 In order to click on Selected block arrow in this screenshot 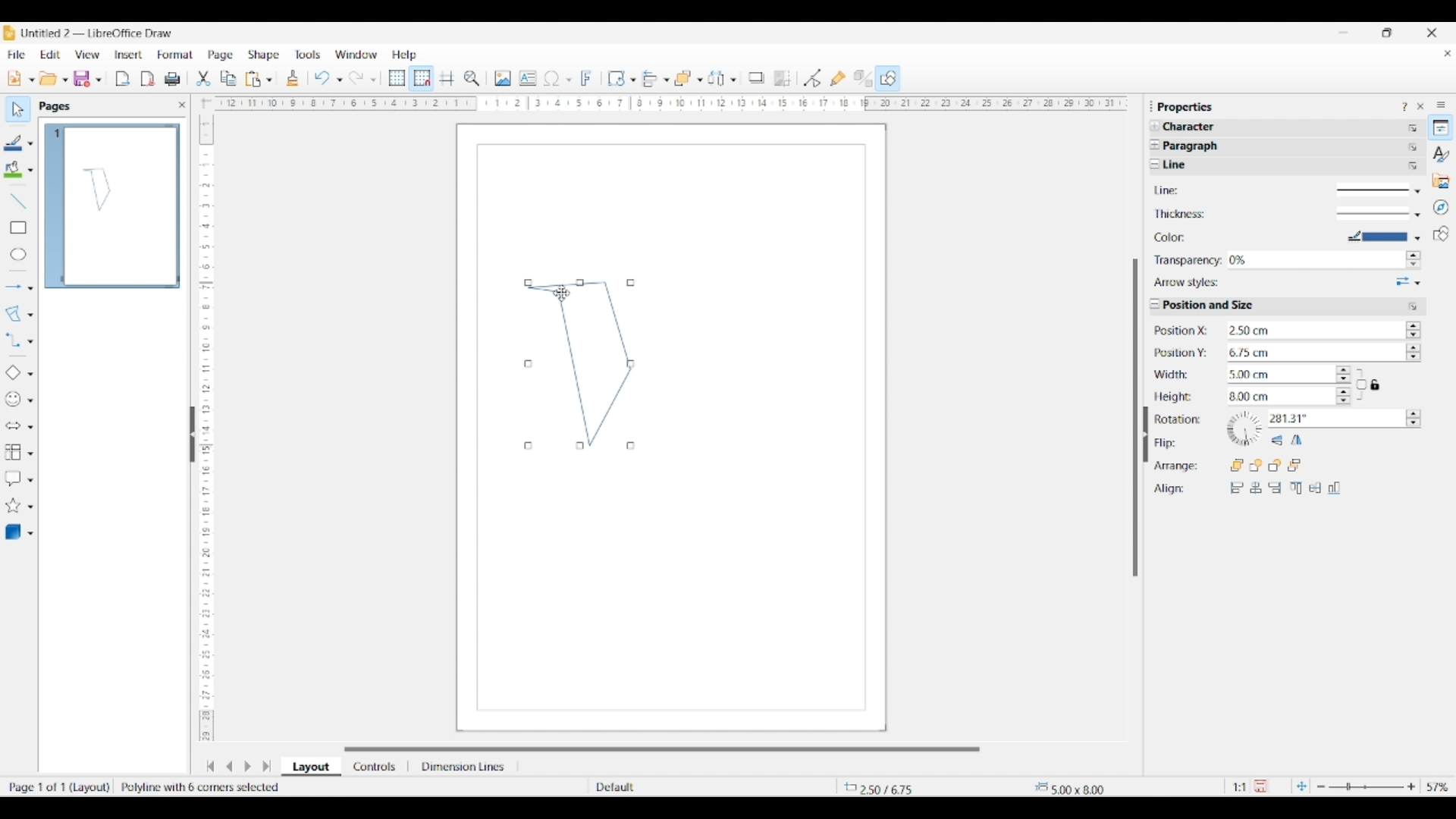, I will do `click(12, 426)`.